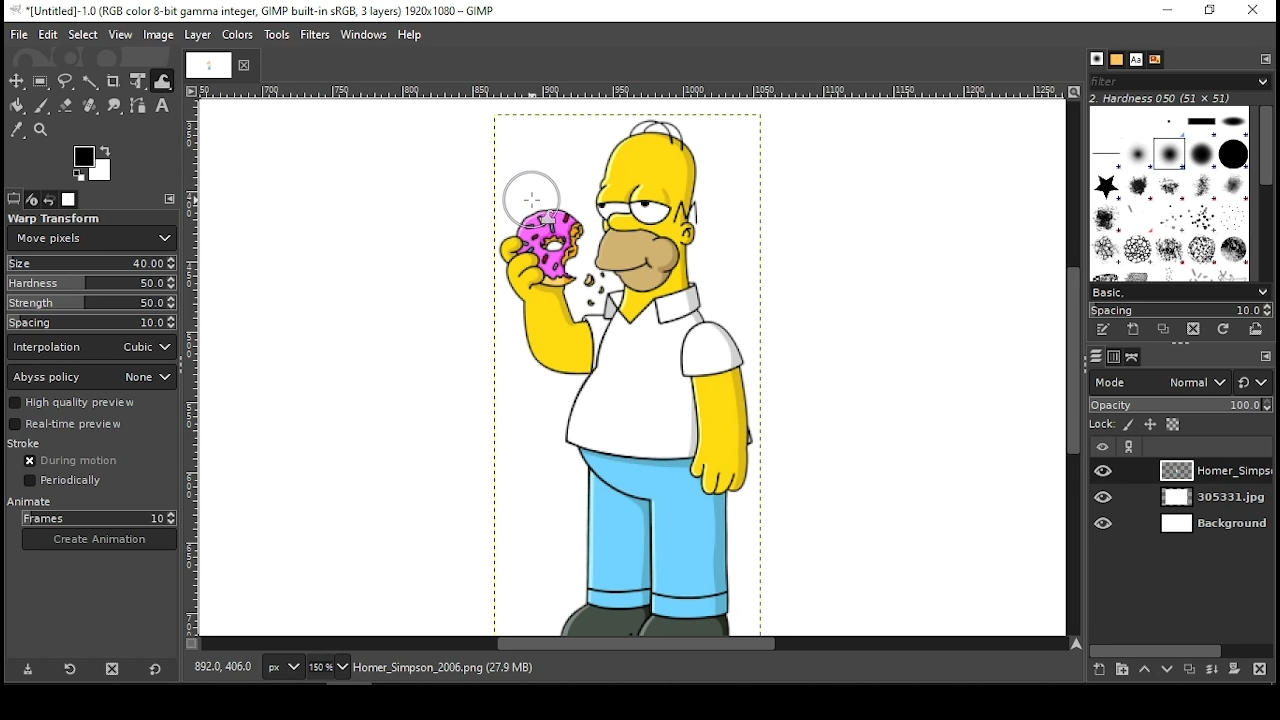 Image resolution: width=1280 pixels, height=720 pixels. Describe the element at coordinates (1103, 470) in the screenshot. I see `layer visibility on/off` at that location.